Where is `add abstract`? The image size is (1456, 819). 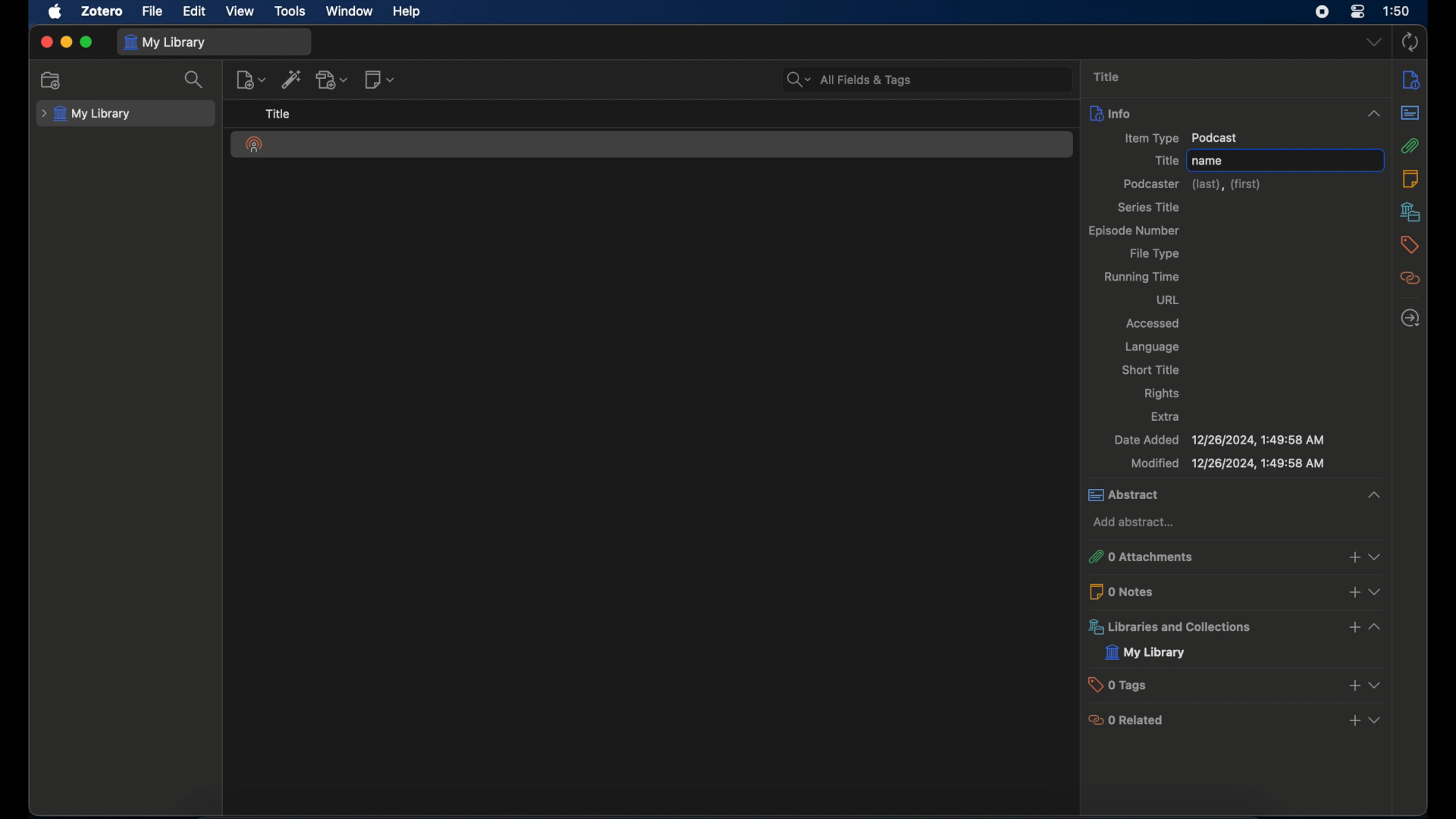
add abstract is located at coordinates (1134, 522).